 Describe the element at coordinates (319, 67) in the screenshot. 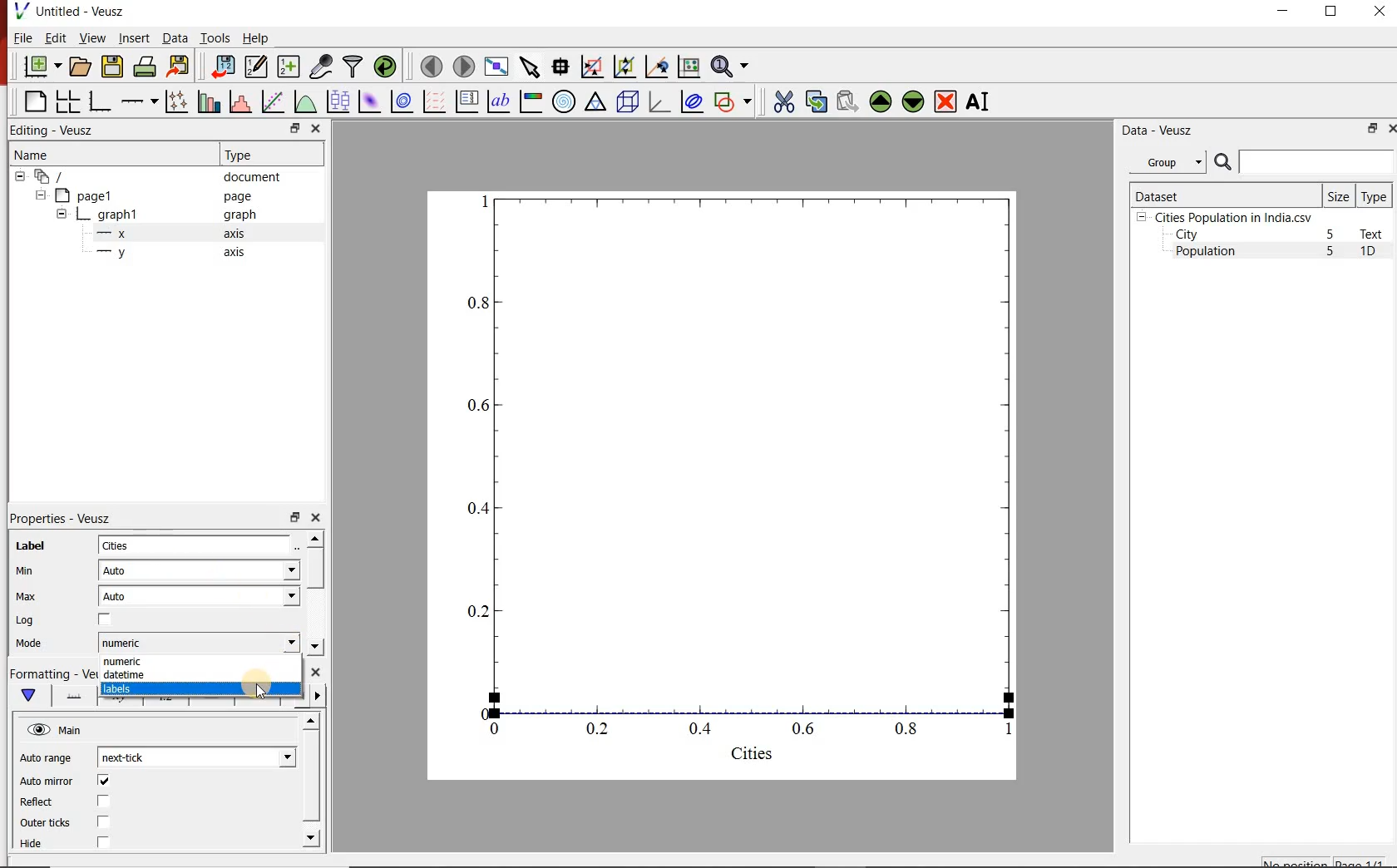

I see `capture remote data` at that location.